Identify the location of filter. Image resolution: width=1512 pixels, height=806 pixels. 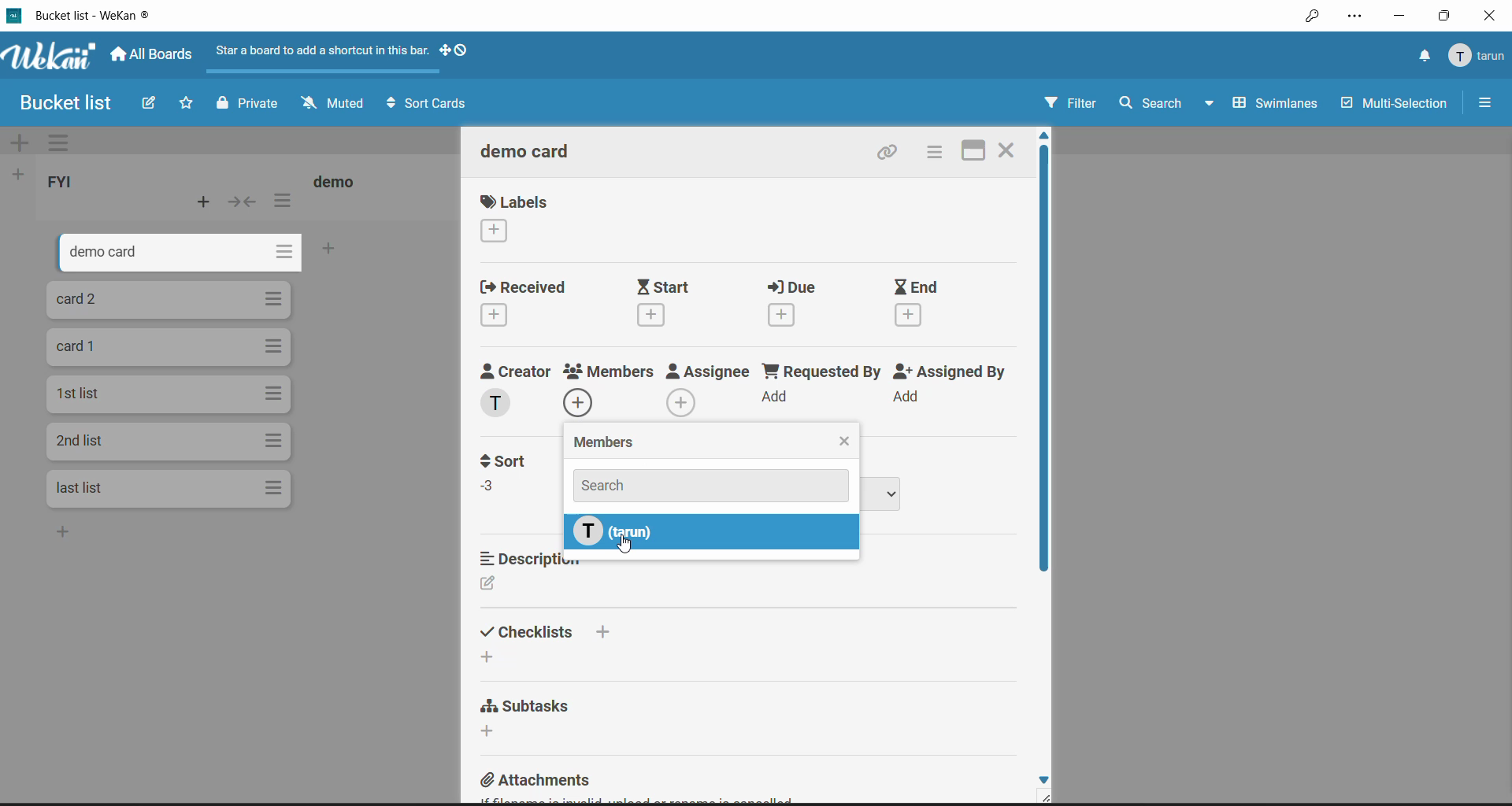
(1069, 102).